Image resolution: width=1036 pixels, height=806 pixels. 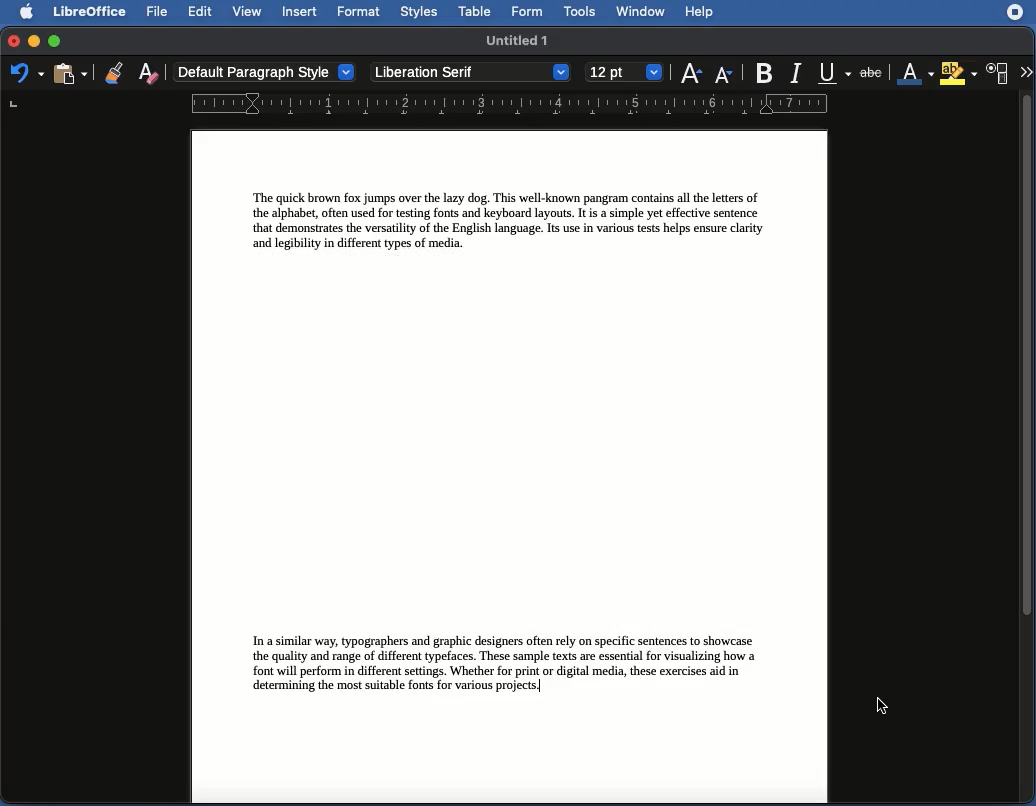 I want to click on Undo, so click(x=26, y=74).